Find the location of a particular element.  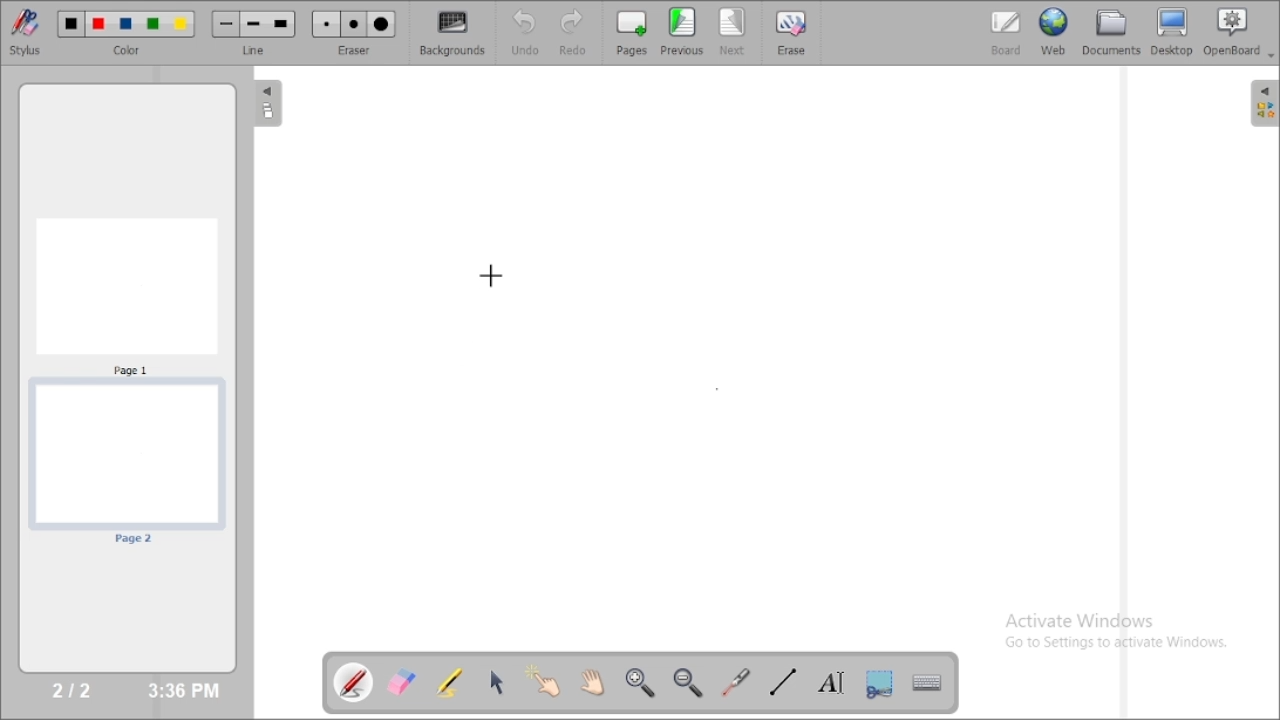

Activate Windows
Go to Settings to activate Windows. is located at coordinates (1122, 634).